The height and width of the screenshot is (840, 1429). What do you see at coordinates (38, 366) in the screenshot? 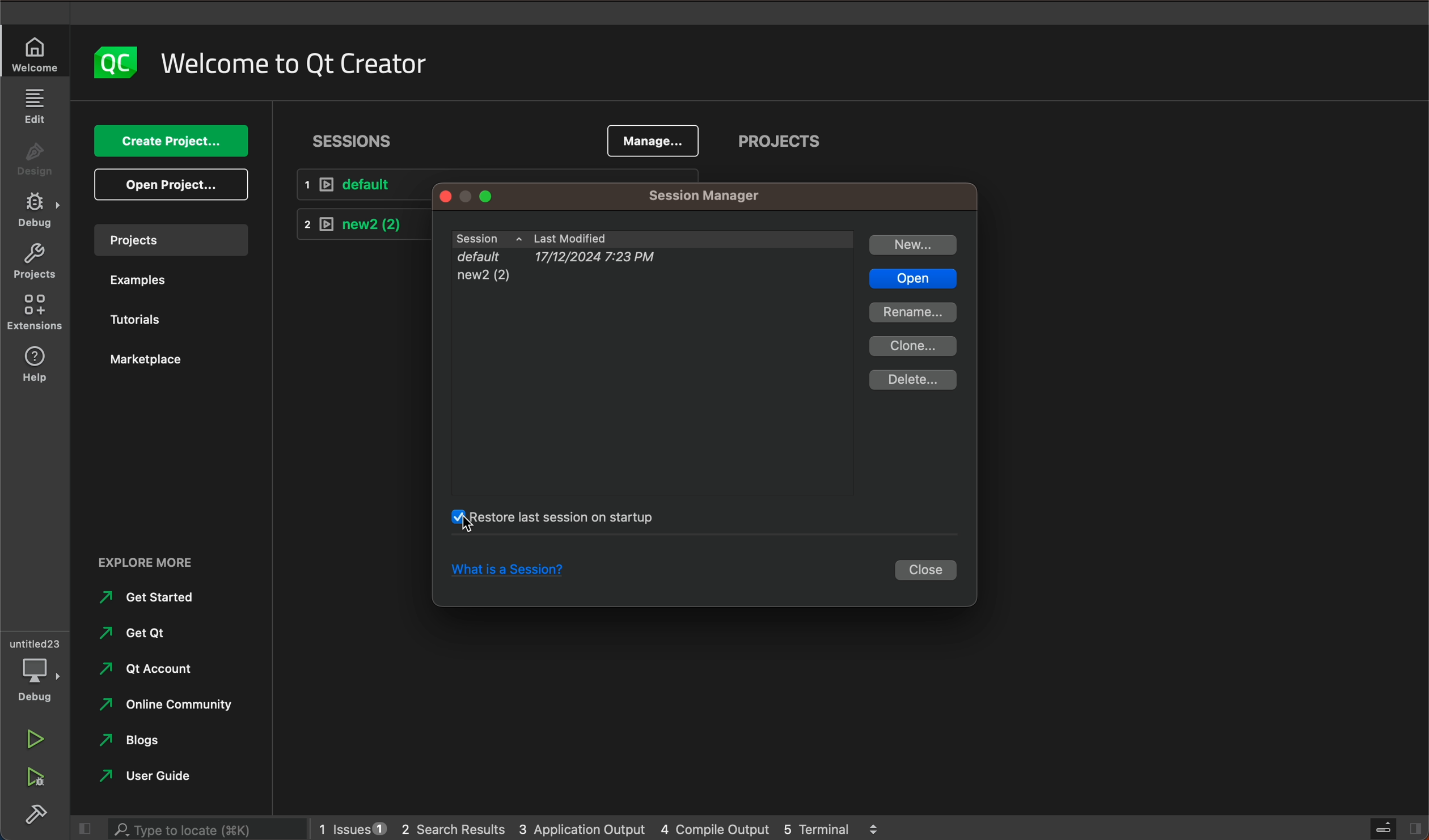
I see `help` at bounding box center [38, 366].